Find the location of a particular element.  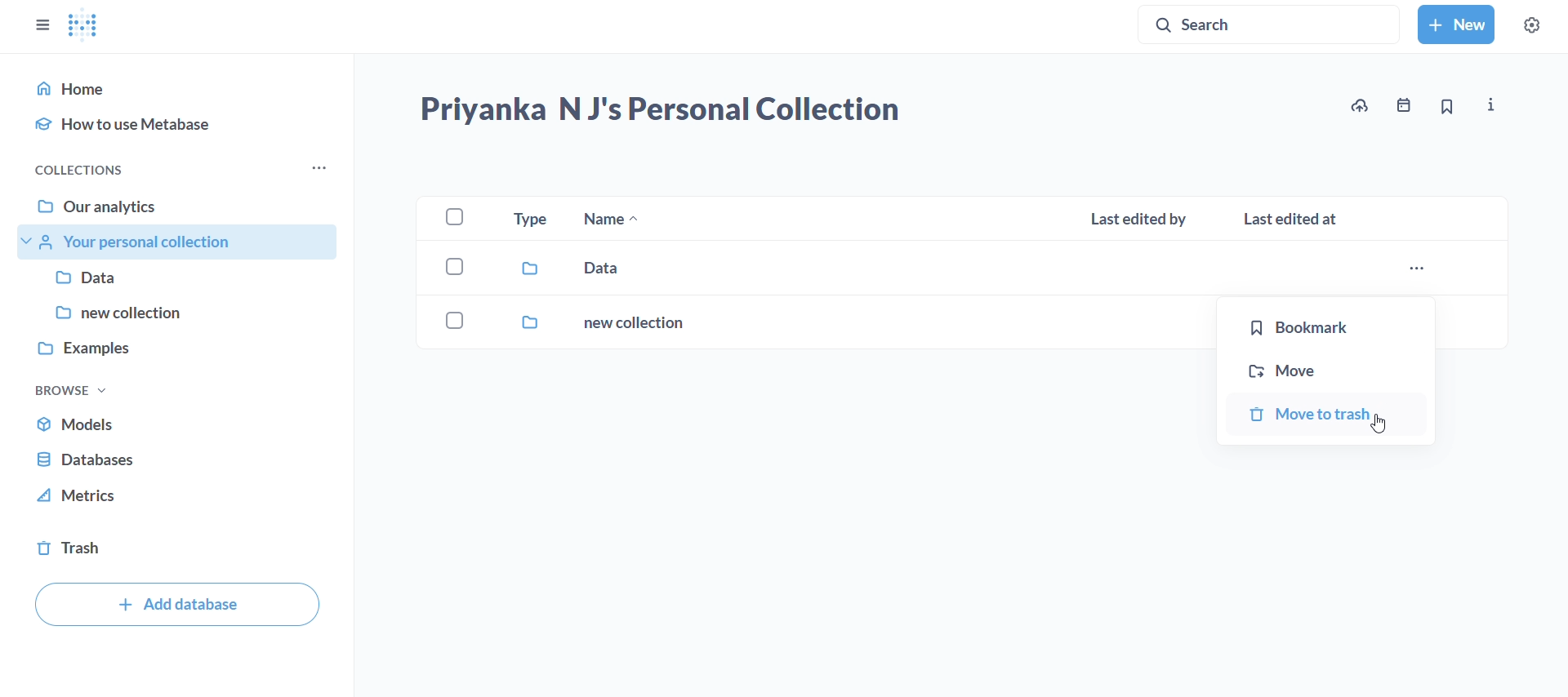

priyanka N J's personal collection is located at coordinates (660, 112).